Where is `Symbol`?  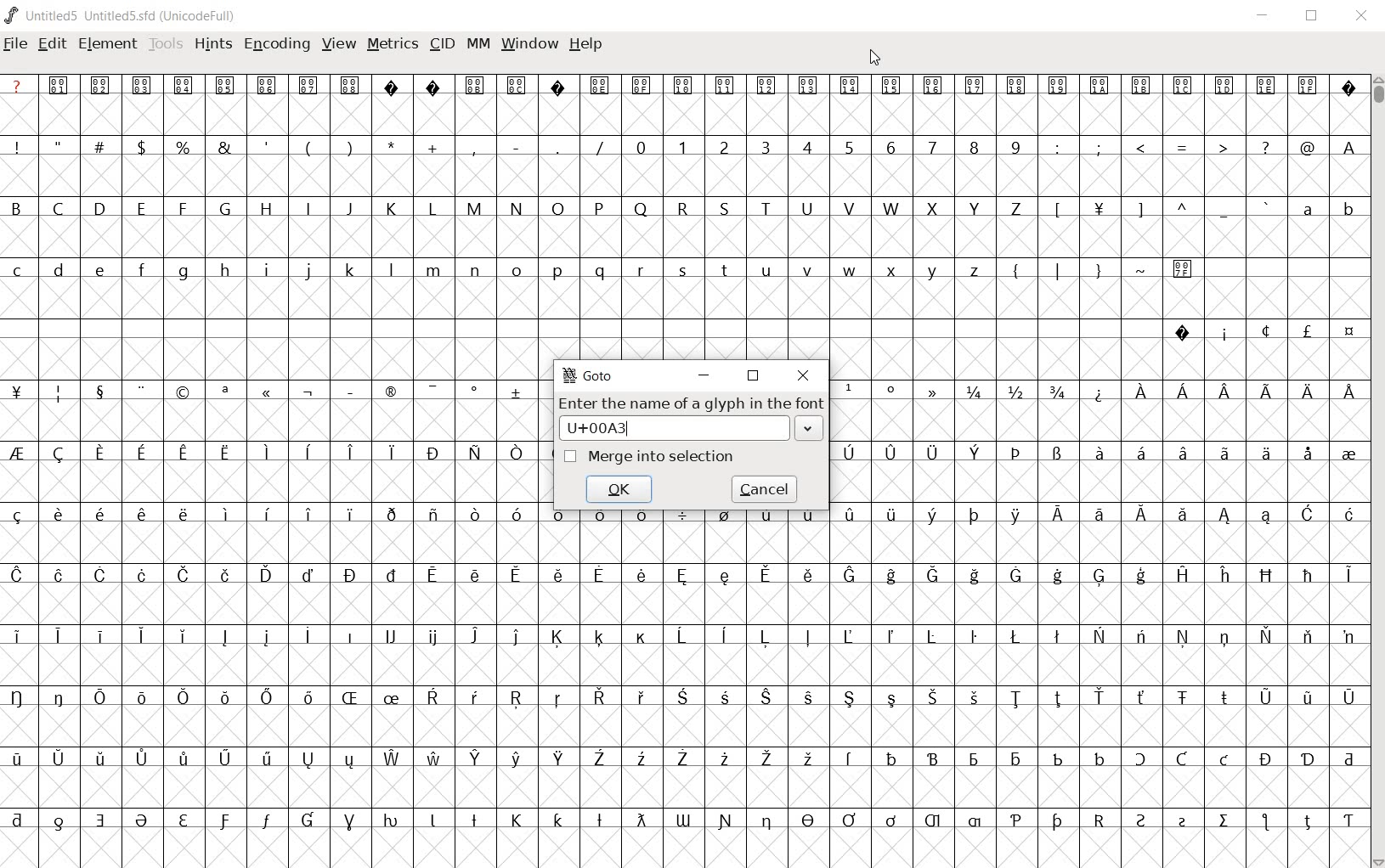 Symbol is located at coordinates (850, 699).